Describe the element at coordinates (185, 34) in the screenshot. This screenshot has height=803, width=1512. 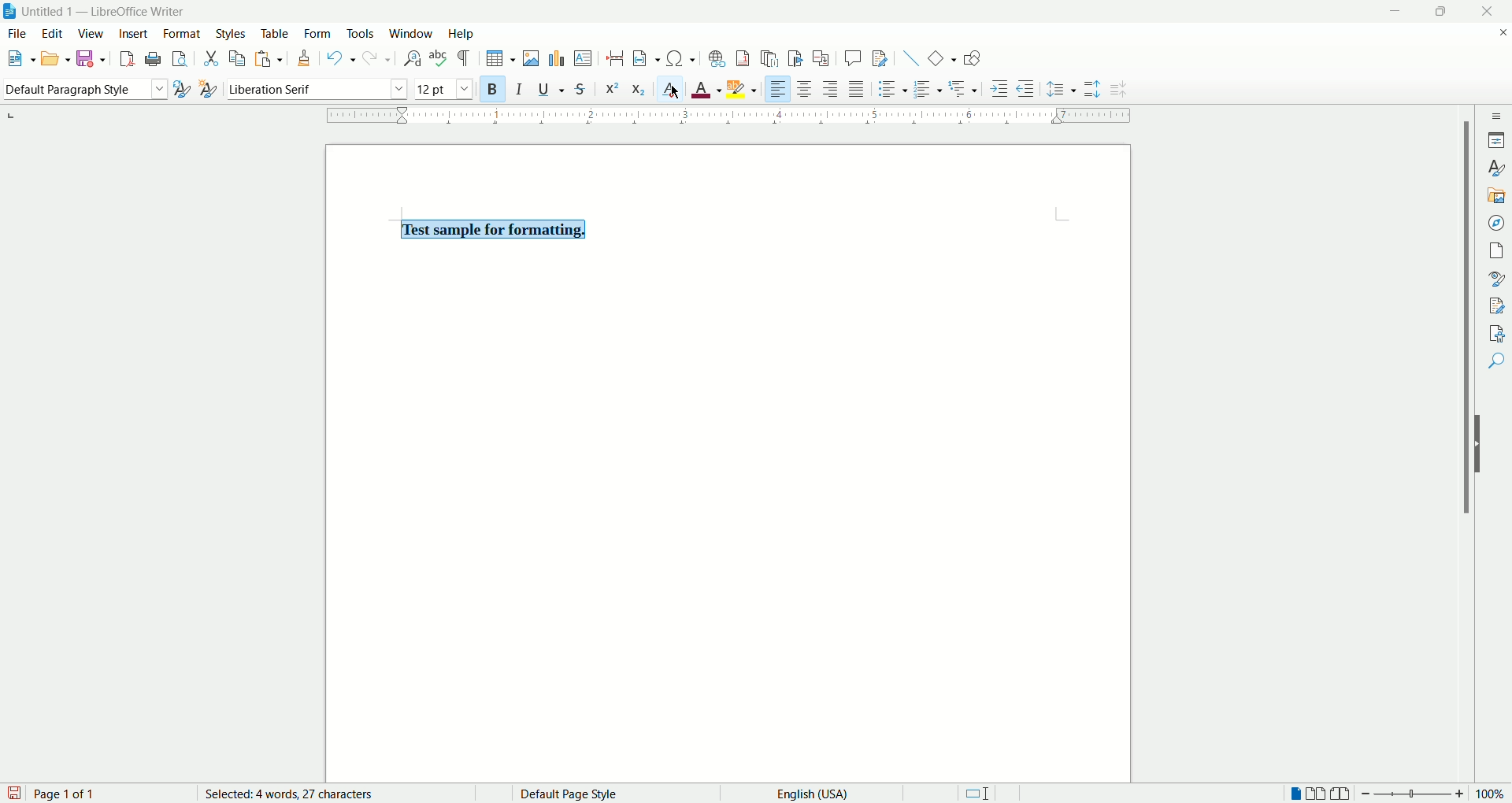
I see `format` at that location.